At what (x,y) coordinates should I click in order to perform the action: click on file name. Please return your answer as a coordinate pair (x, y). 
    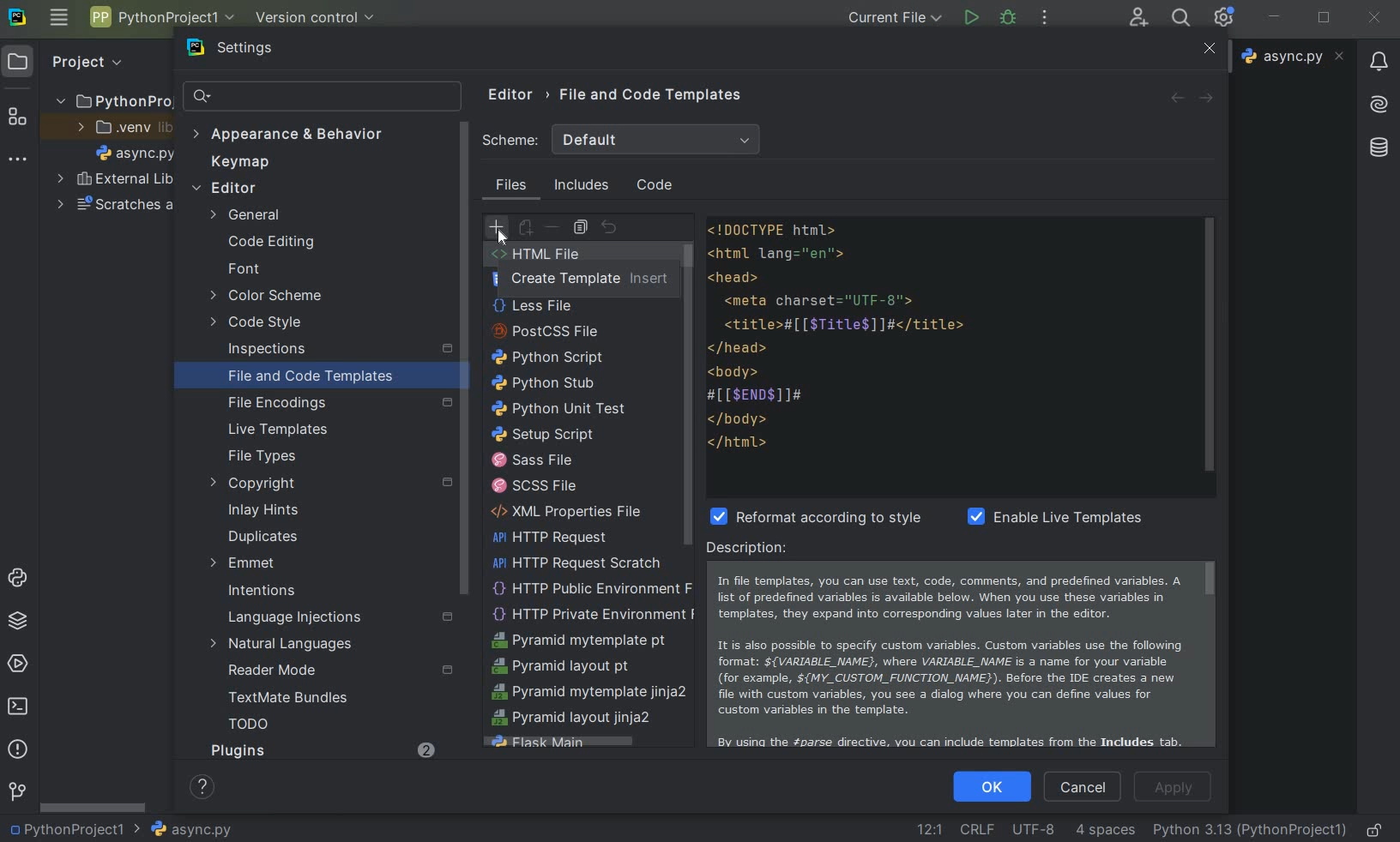
    Looking at the image, I should click on (194, 831).